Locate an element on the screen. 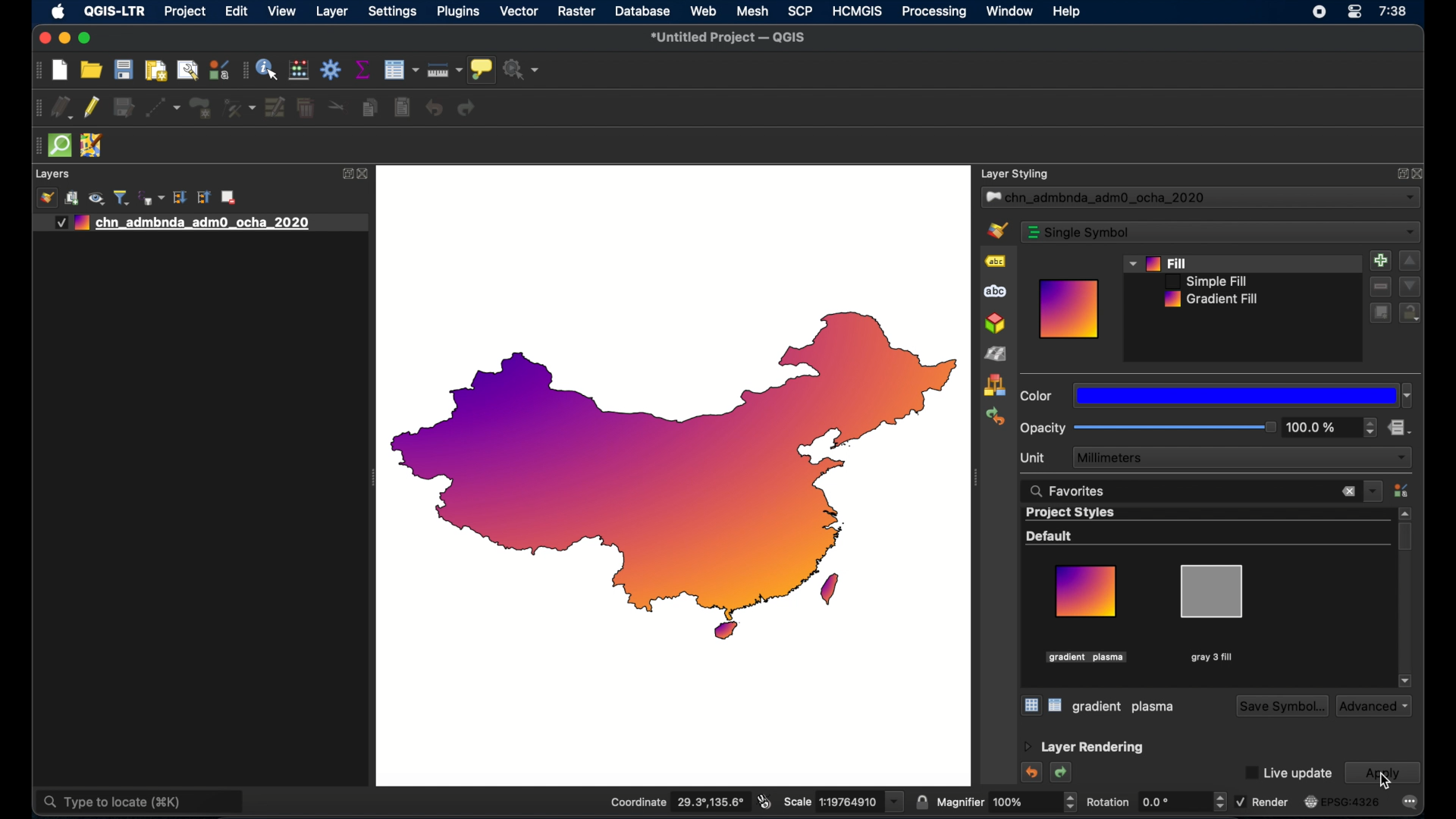  drag handle is located at coordinates (38, 108).